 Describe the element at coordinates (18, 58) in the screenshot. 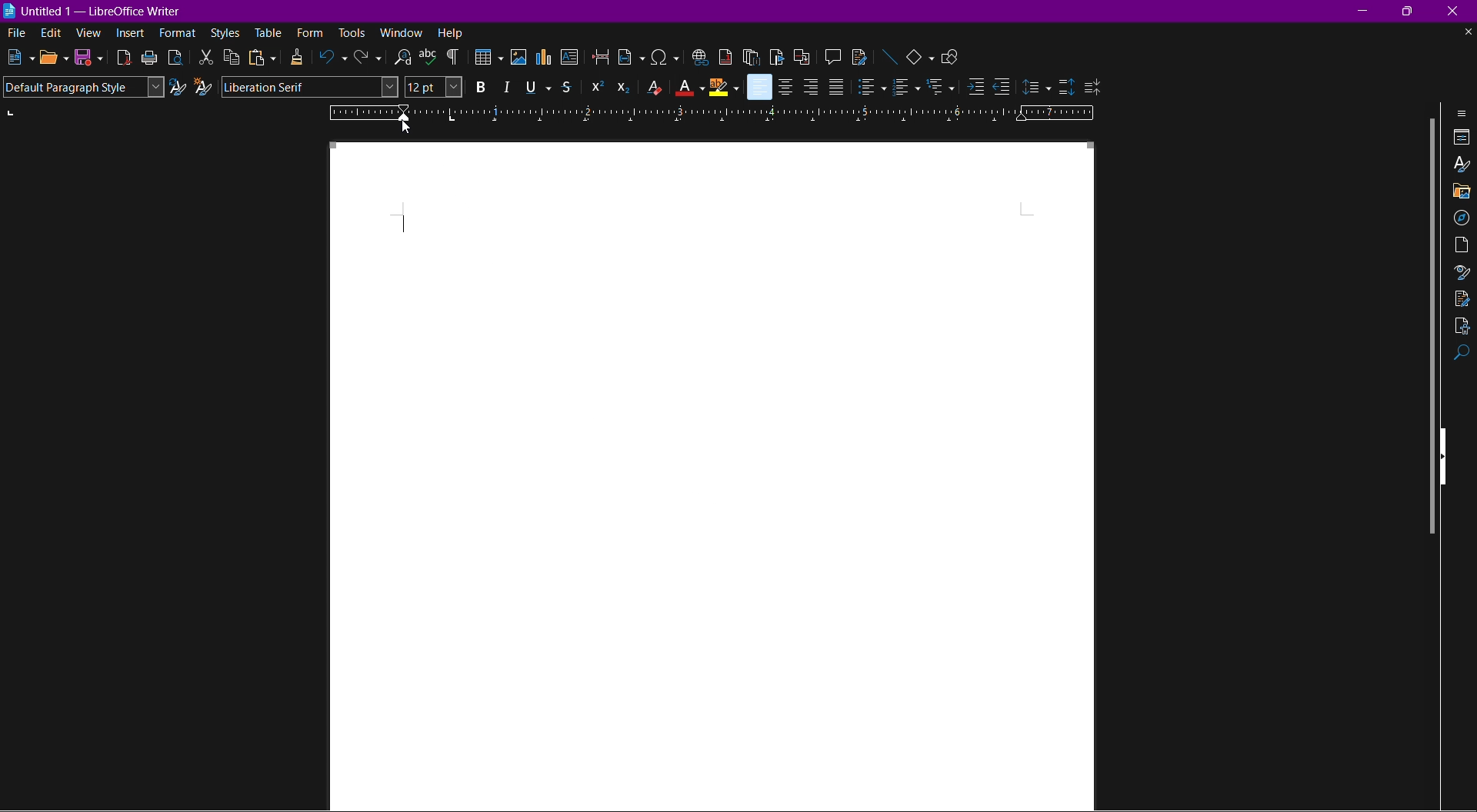

I see `New` at that location.